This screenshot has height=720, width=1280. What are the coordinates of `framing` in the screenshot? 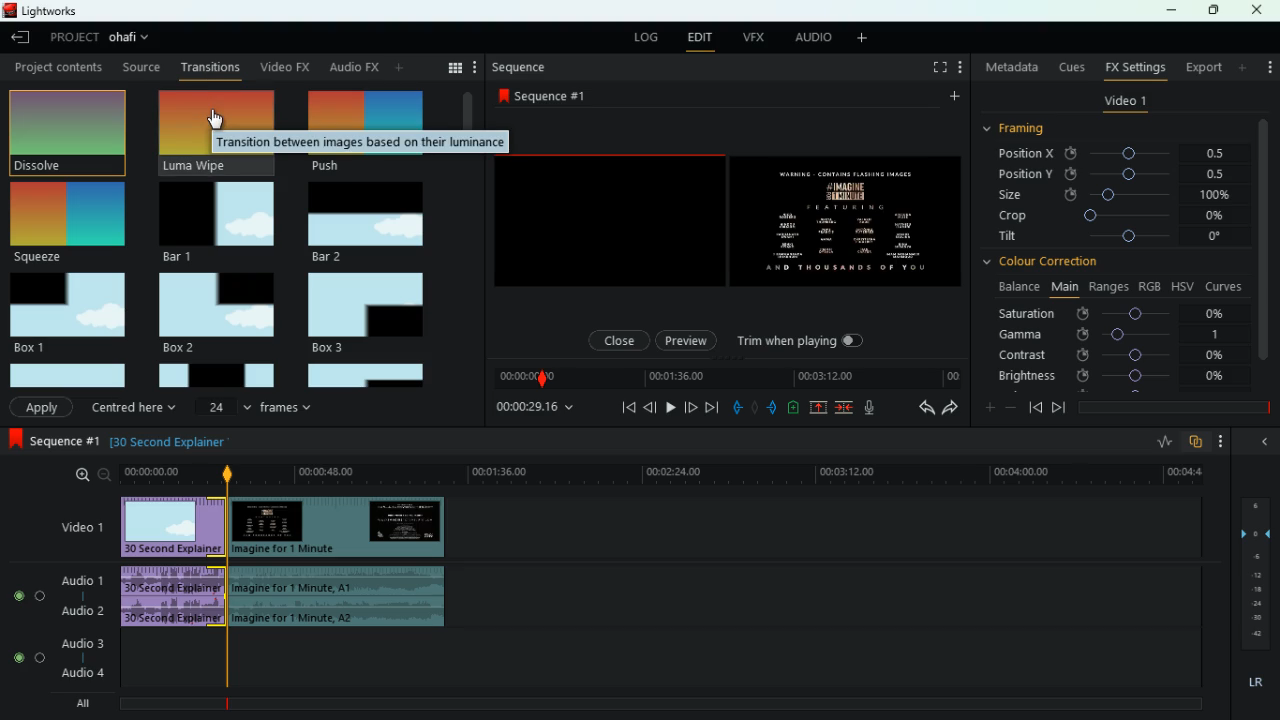 It's located at (1026, 129).